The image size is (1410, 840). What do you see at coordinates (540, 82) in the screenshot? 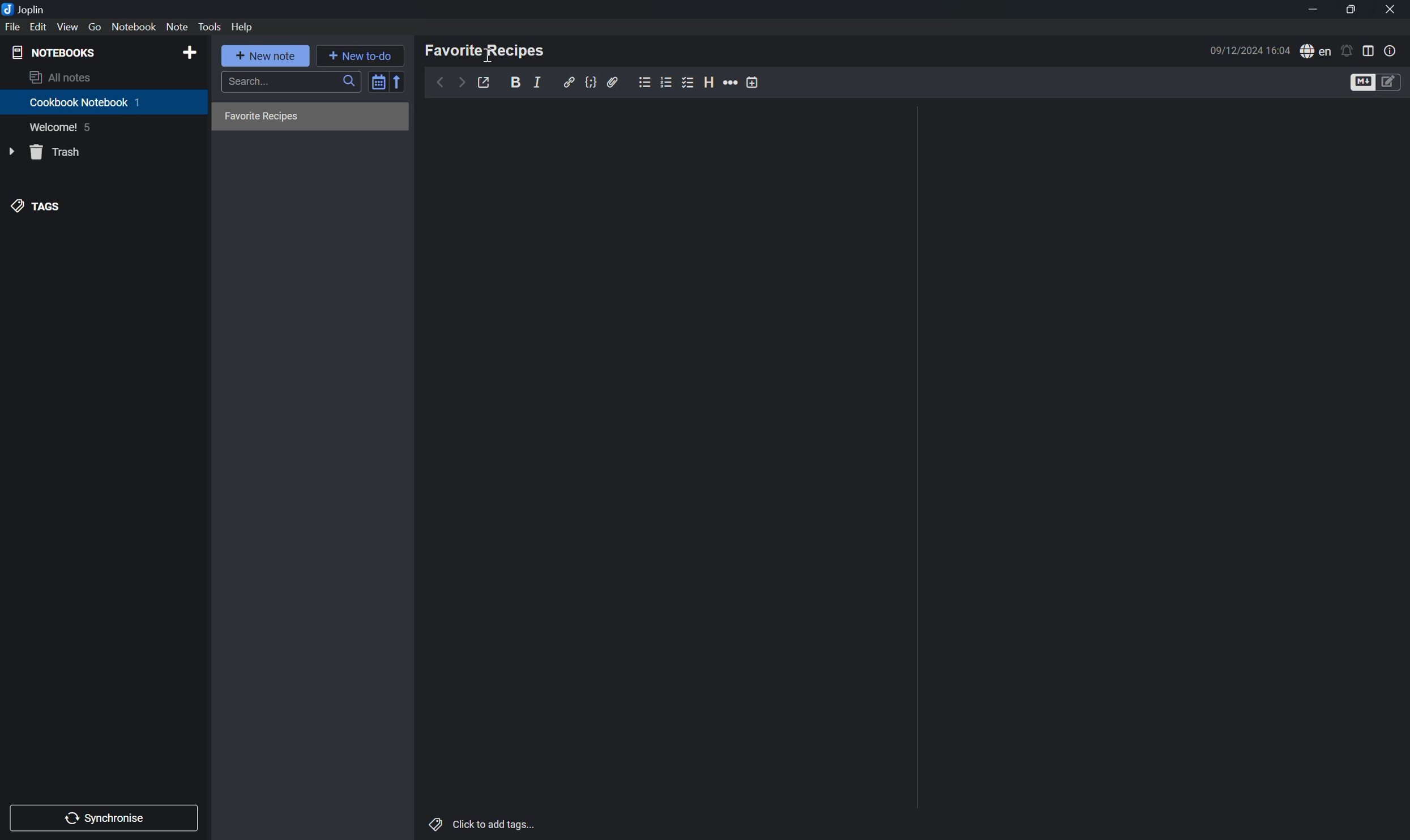
I see `Italic` at bounding box center [540, 82].